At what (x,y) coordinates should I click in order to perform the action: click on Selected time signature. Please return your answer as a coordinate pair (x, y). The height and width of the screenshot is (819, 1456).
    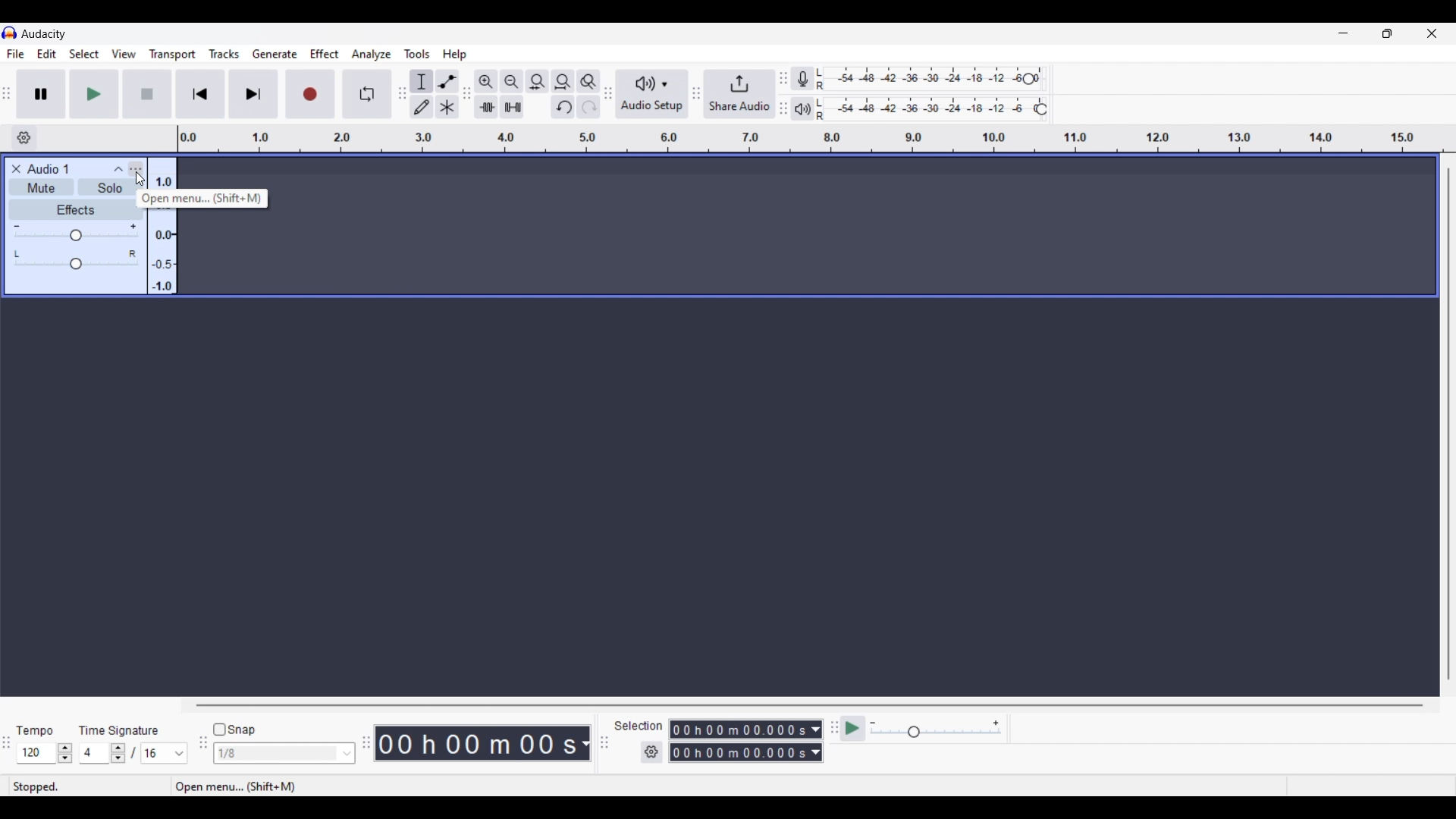
    Looking at the image, I should click on (156, 754).